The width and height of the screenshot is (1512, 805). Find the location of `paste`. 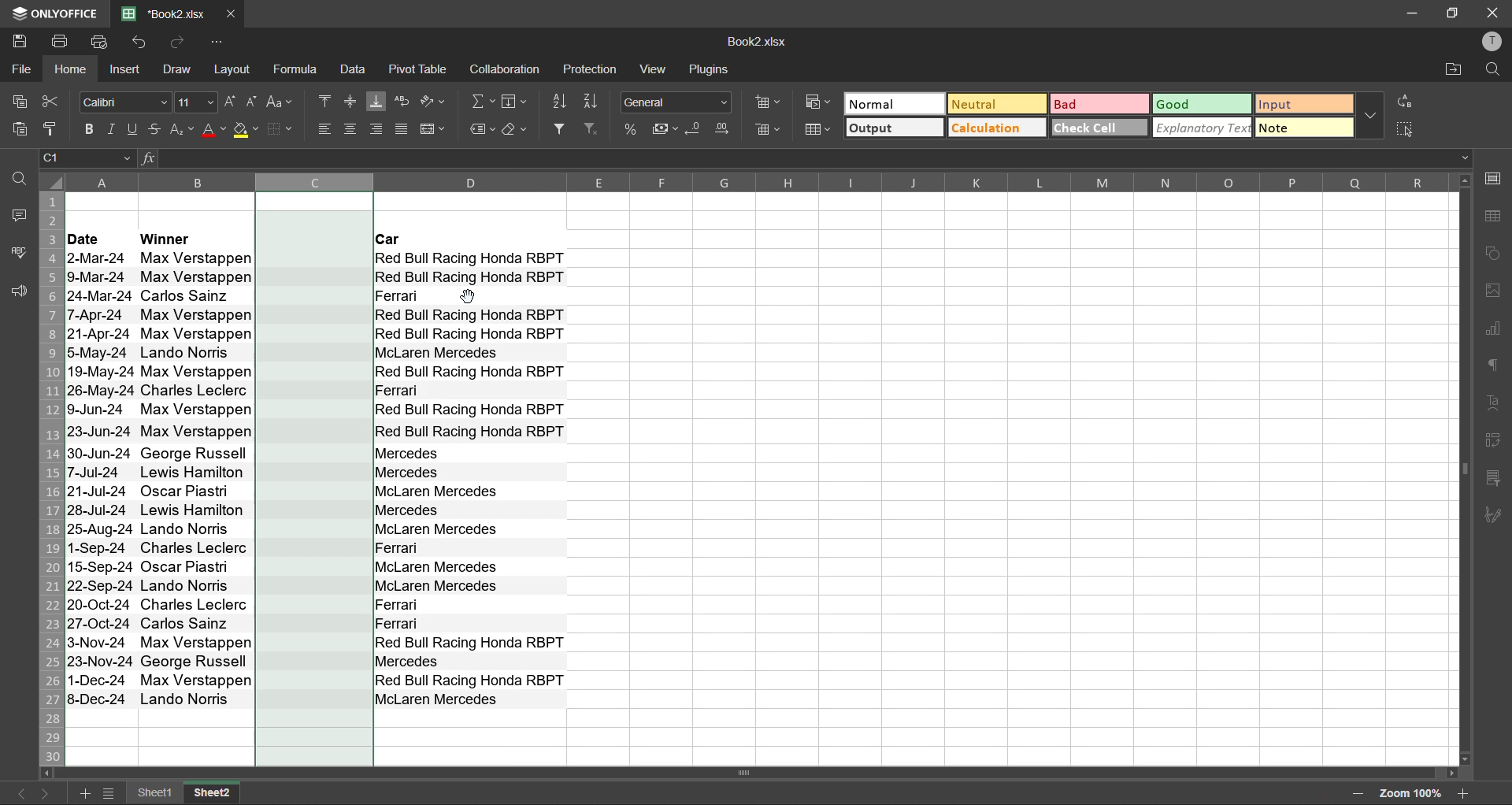

paste is located at coordinates (24, 130).